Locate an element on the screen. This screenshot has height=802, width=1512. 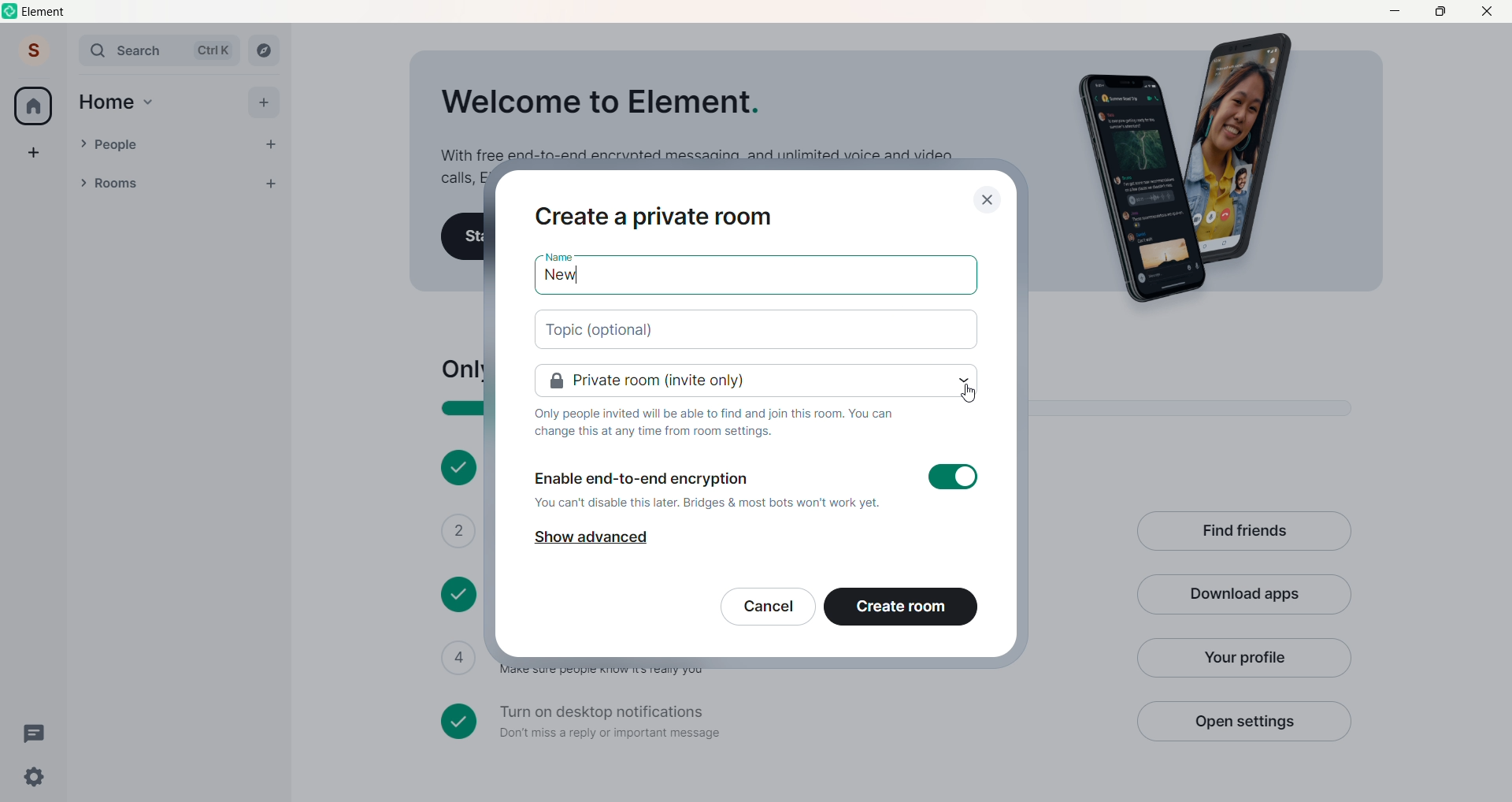
Create room is located at coordinates (901, 607).